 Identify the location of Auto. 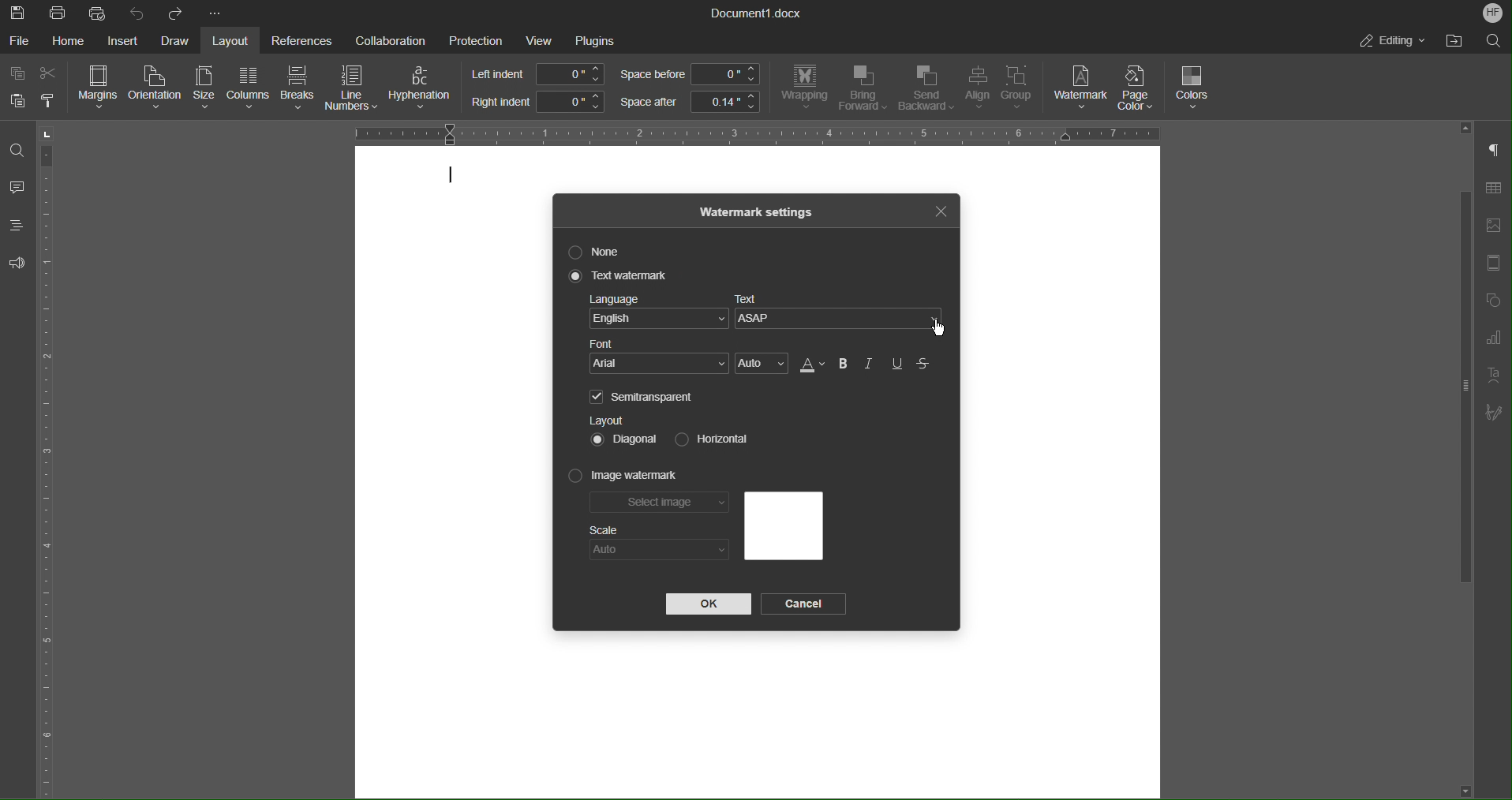
(659, 550).